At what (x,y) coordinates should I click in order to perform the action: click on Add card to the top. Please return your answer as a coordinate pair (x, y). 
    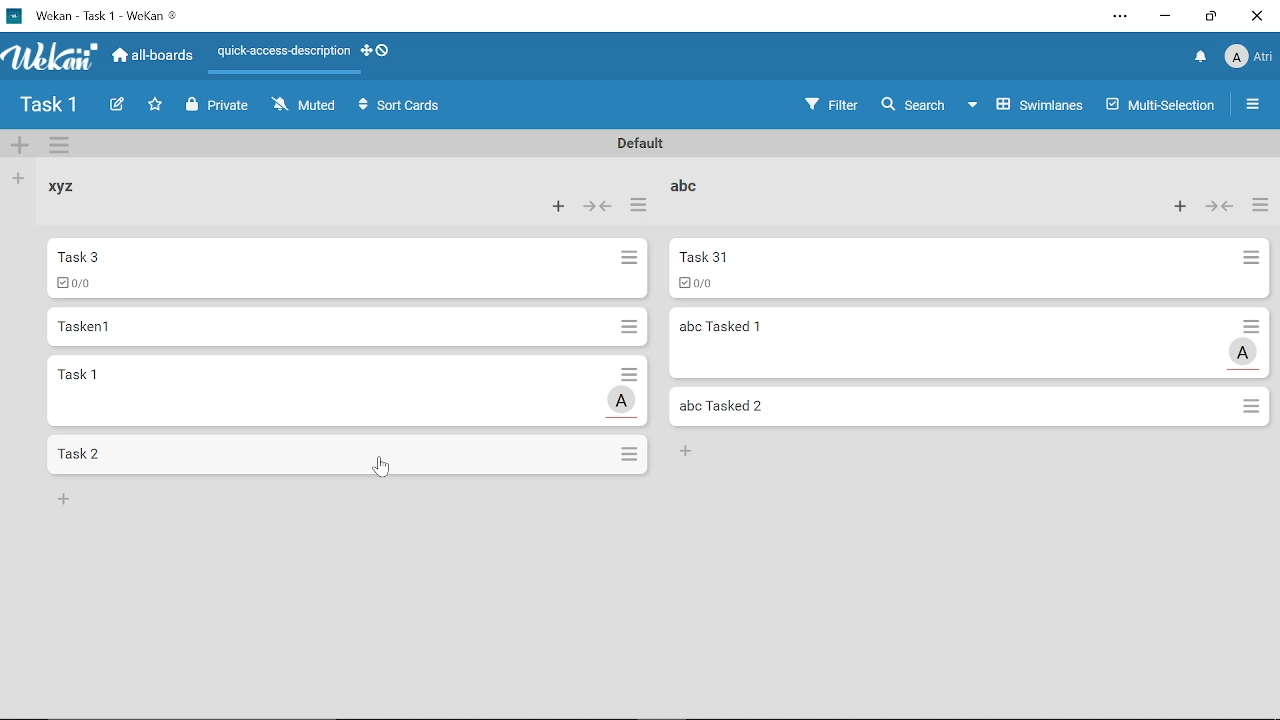
    Looking at the image, I should click on (556, 207).